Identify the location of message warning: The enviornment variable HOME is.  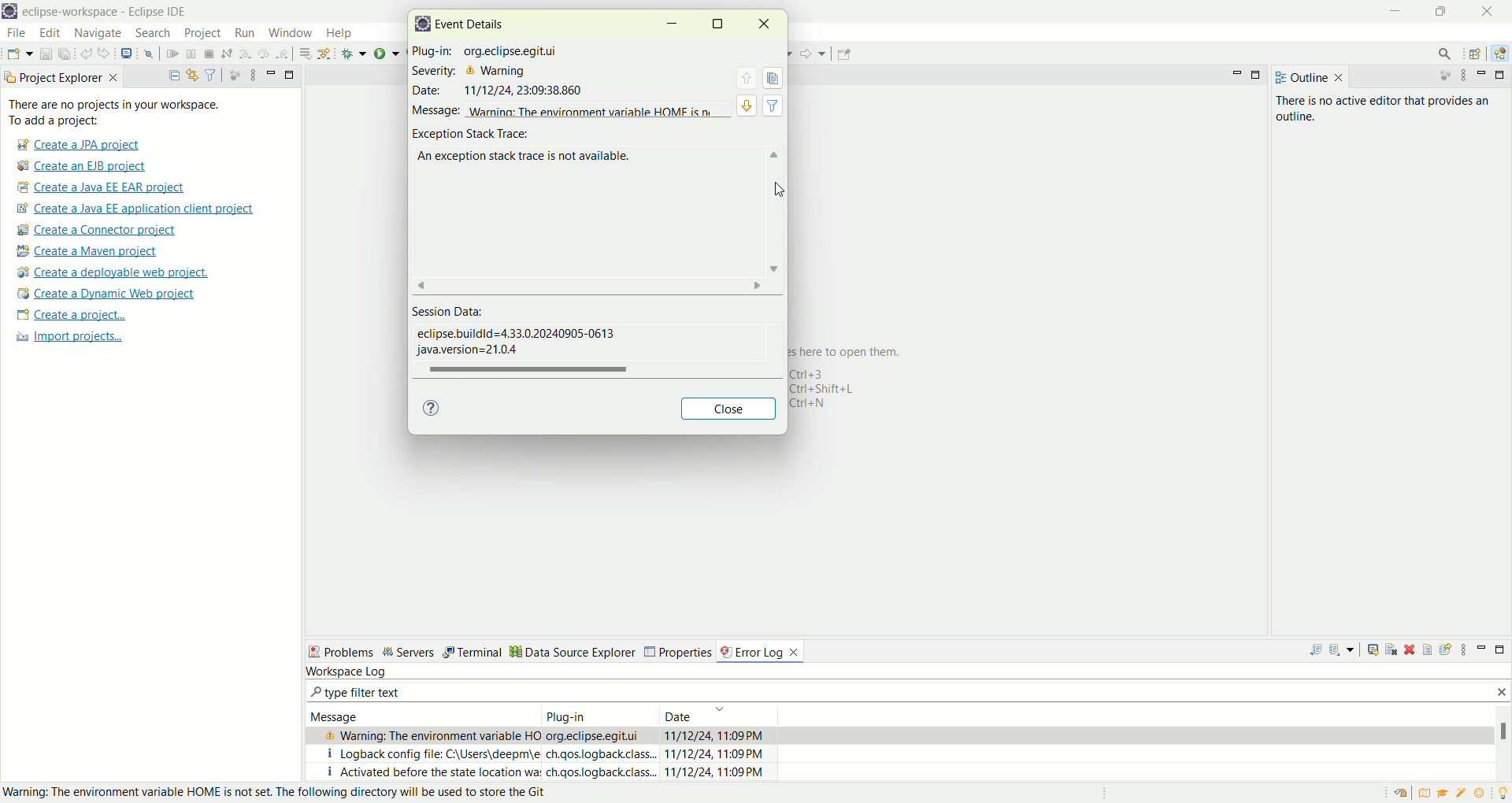
(573, 110).